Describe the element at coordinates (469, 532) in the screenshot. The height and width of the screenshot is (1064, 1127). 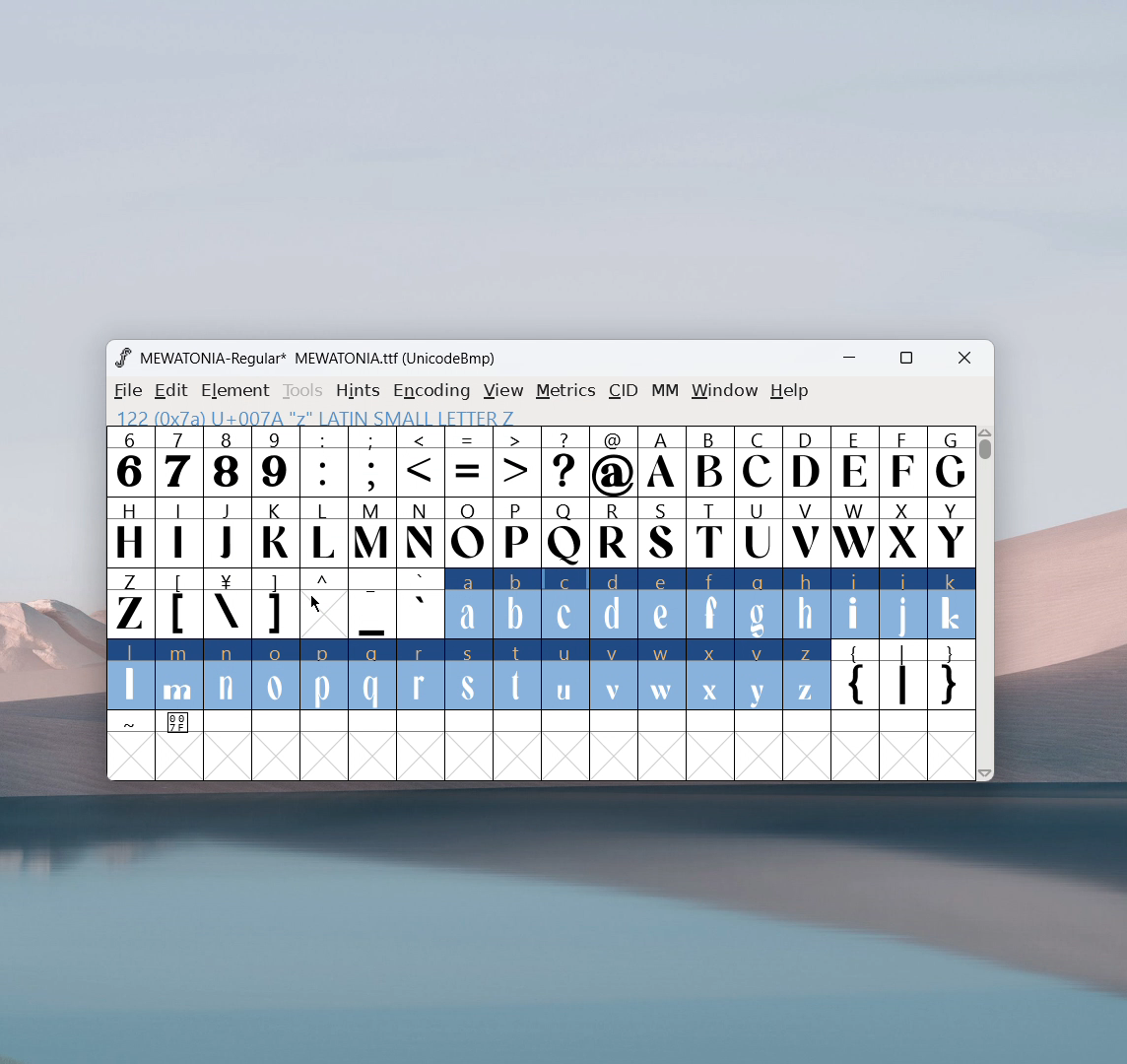
I see `O` at that location.